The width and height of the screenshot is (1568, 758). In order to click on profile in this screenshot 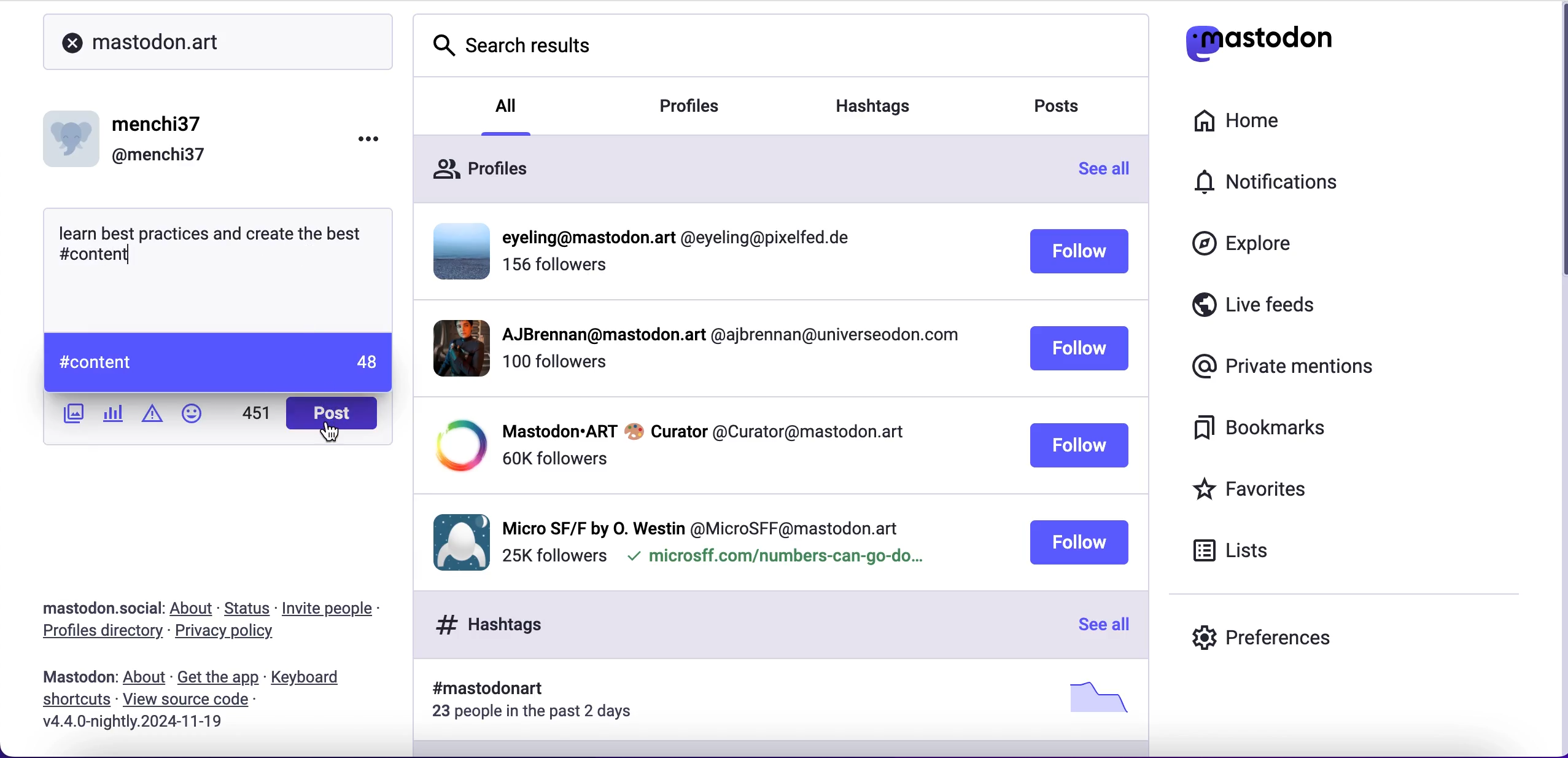, I will do `click(702, 525)`.